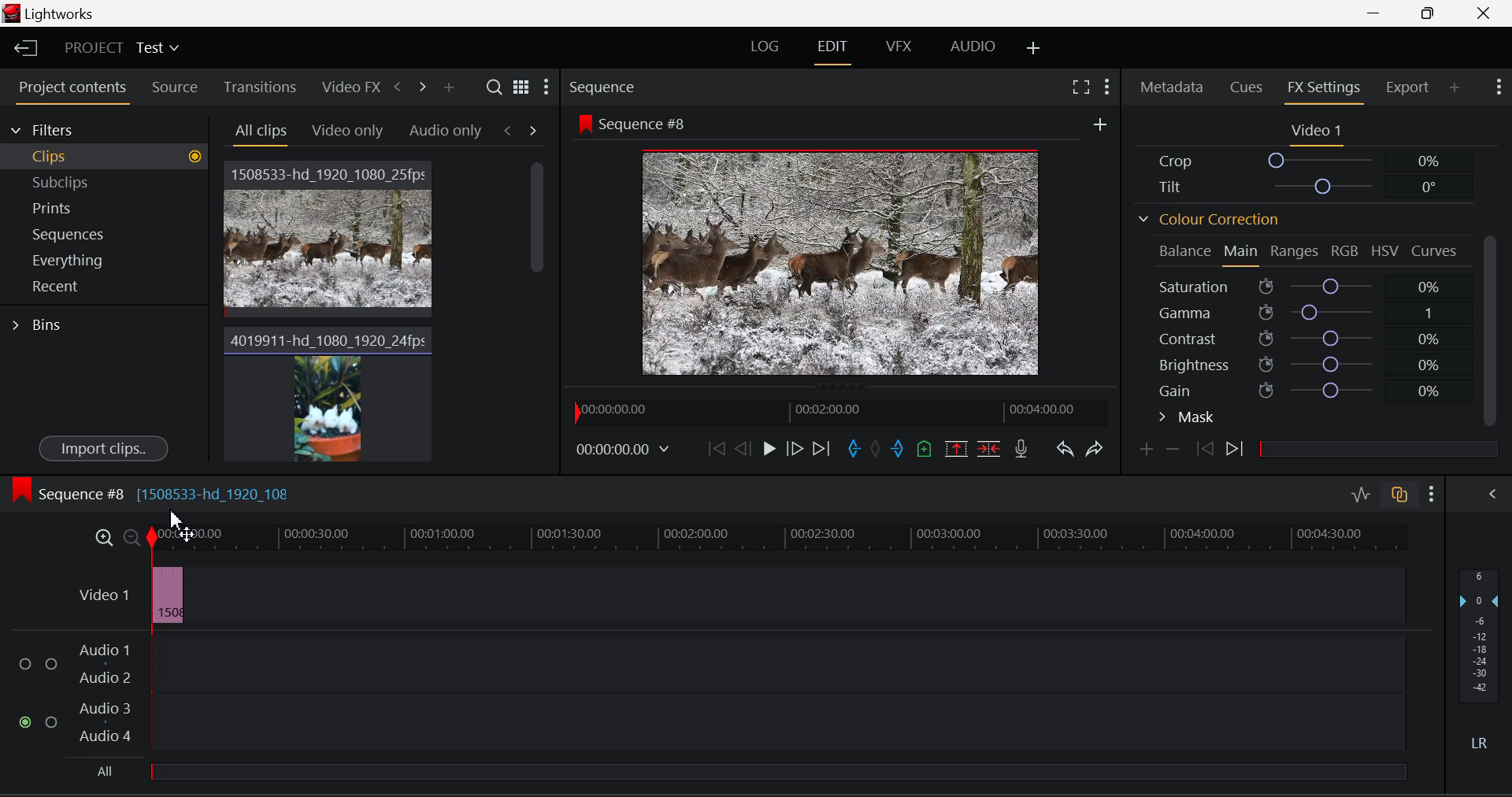 Image resolution: width=1512 pixels, height=797 pixels. I want to click on Project Timeline Preview Slider, so click(832, 410).